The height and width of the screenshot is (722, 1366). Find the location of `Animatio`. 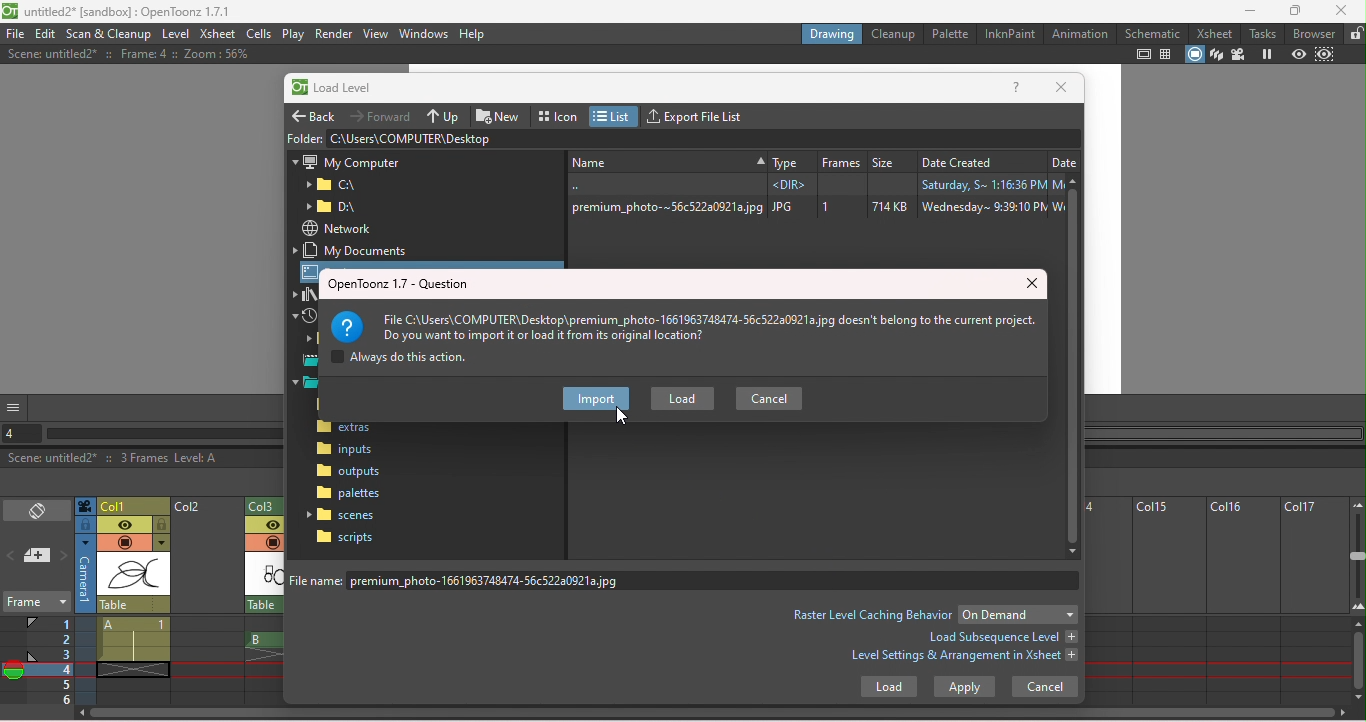

Animatio is located at coordinates (1079, 33).